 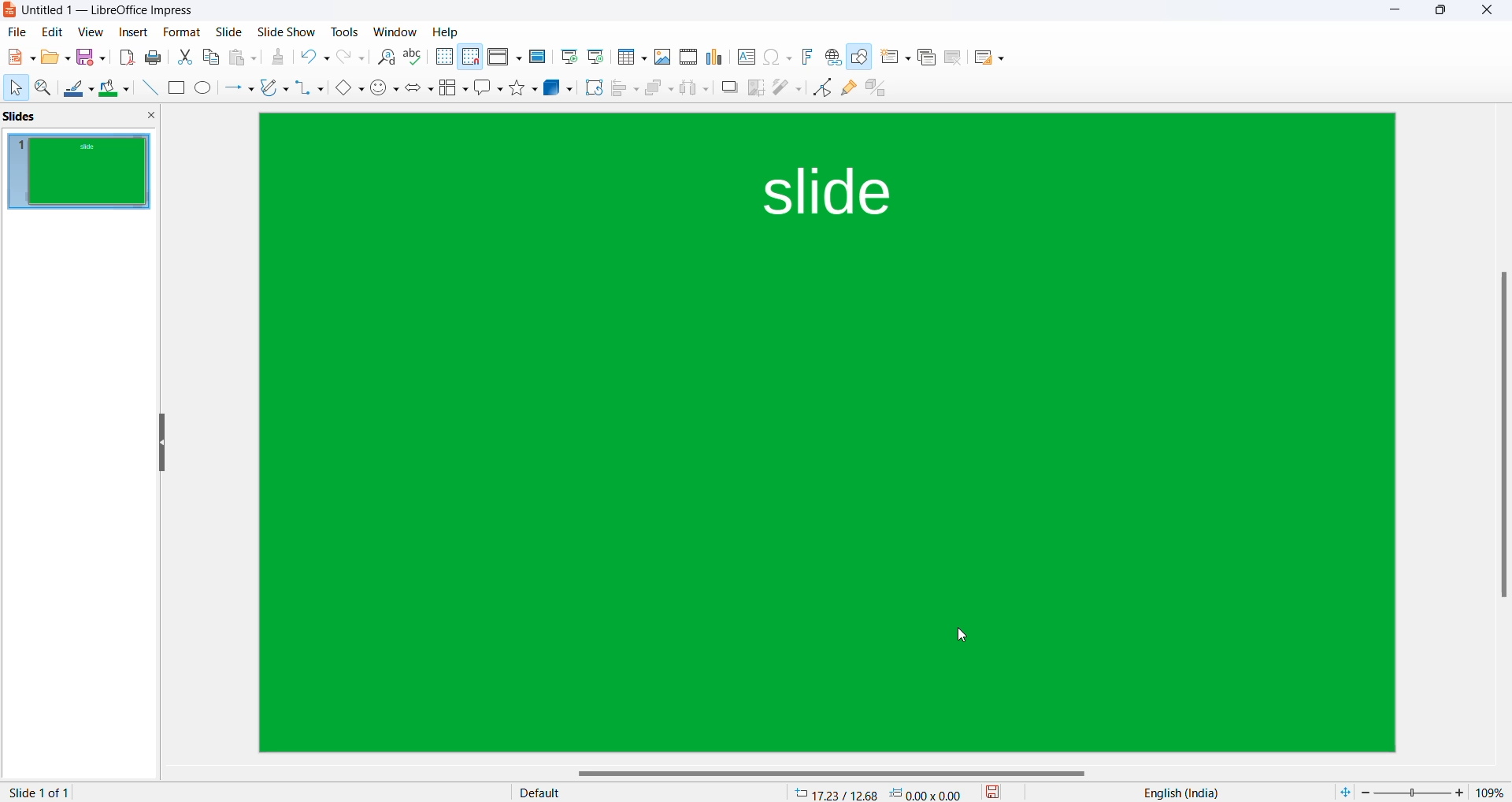 I want to click on insert fontwork text, so click(x=806, y=56).